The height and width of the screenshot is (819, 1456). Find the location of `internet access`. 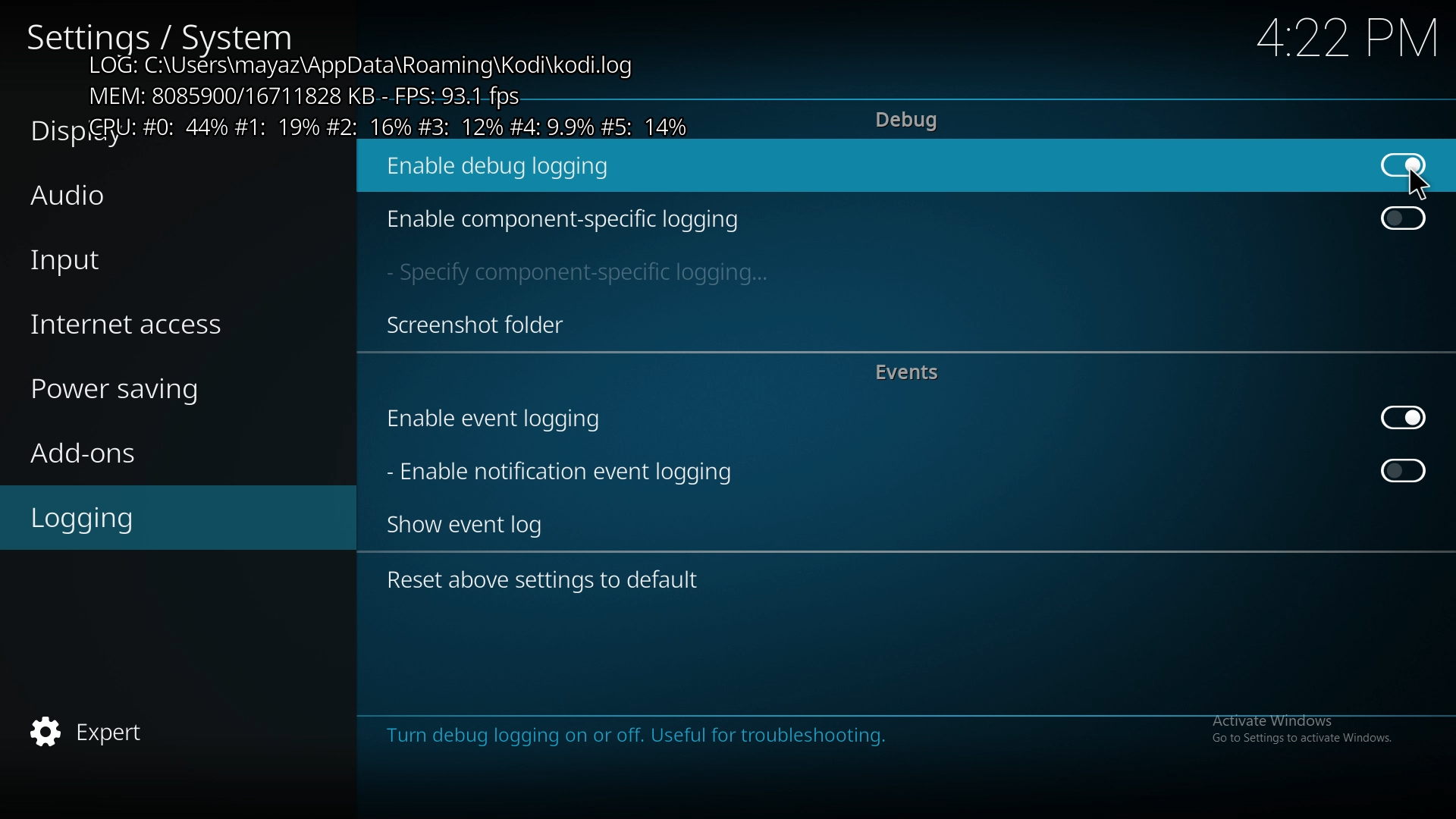

internet access is located at coordinates (167, 326).